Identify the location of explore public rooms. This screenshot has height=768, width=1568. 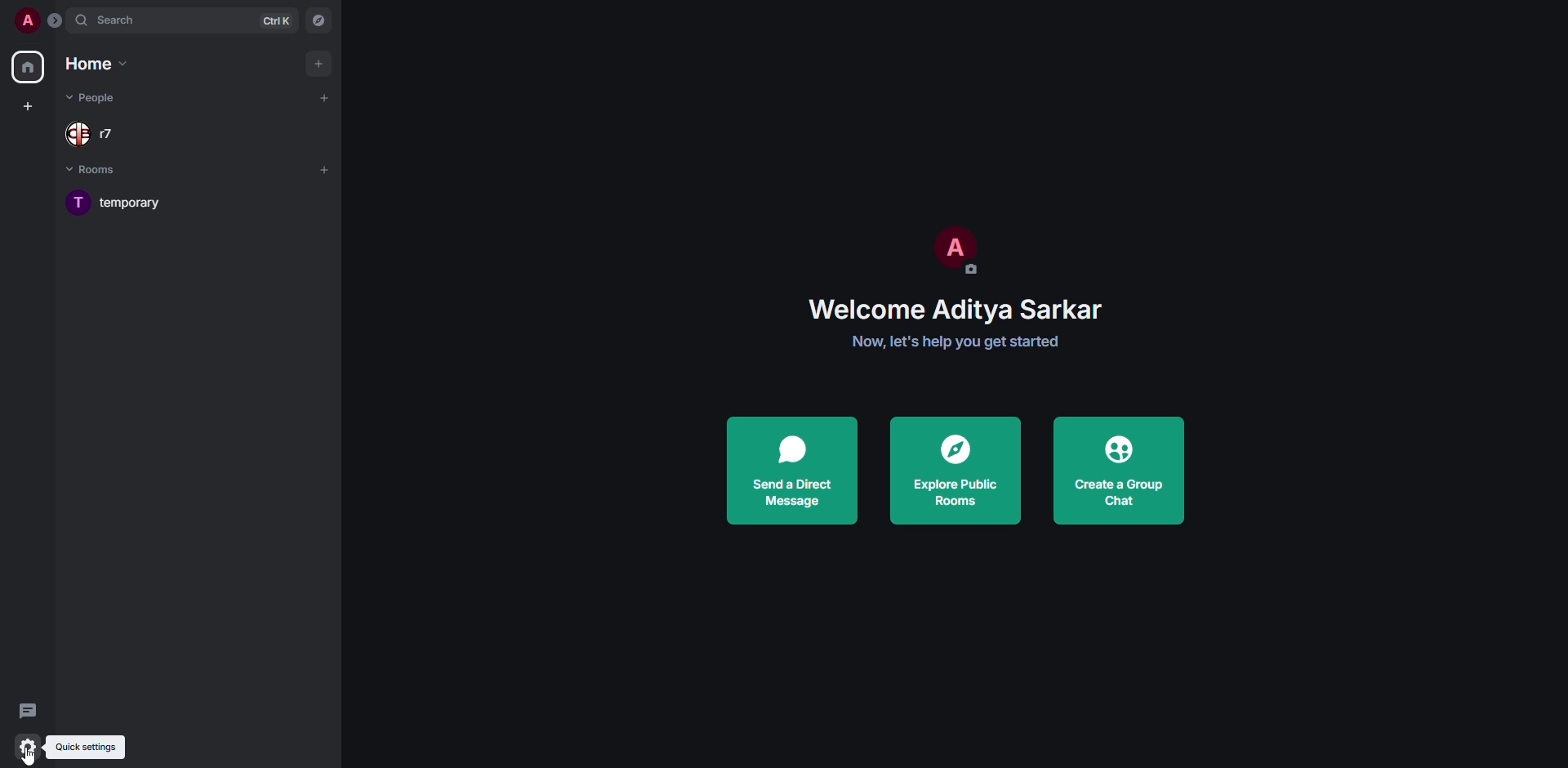
(957, 470).